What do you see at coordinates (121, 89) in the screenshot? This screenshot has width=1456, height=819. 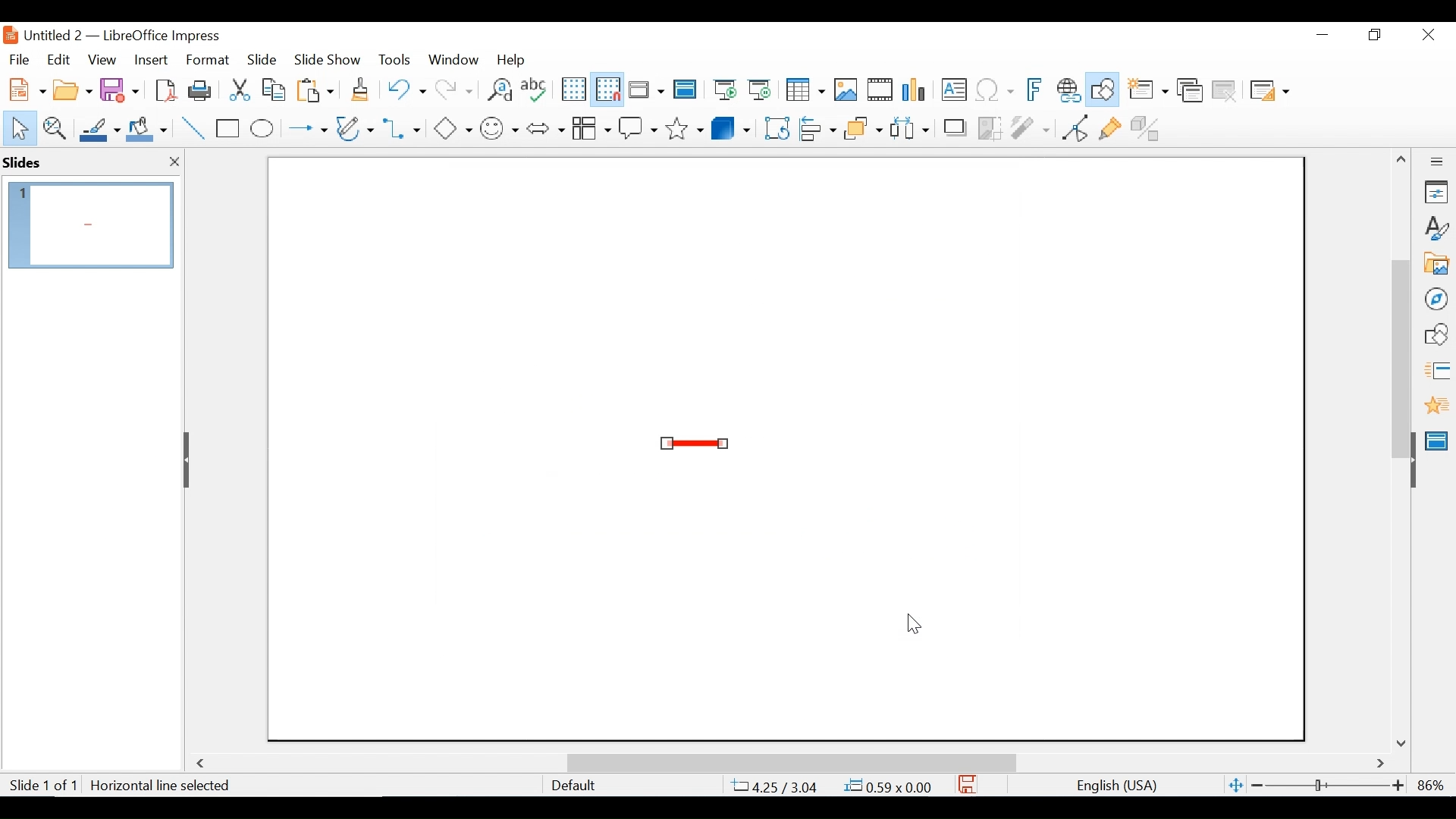 I see `Save` at bounding box center [121, 89].